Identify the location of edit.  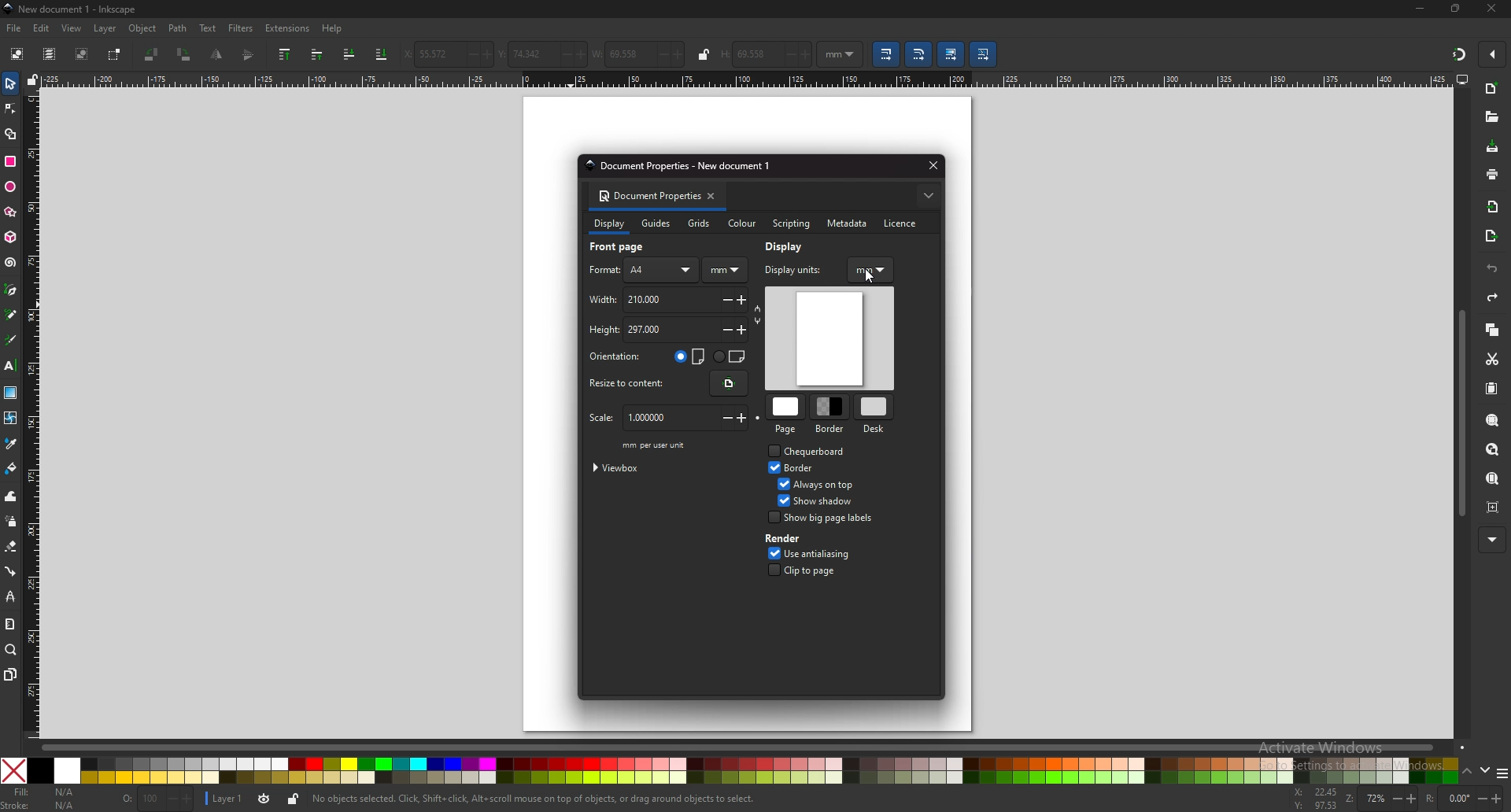
(40, 28).